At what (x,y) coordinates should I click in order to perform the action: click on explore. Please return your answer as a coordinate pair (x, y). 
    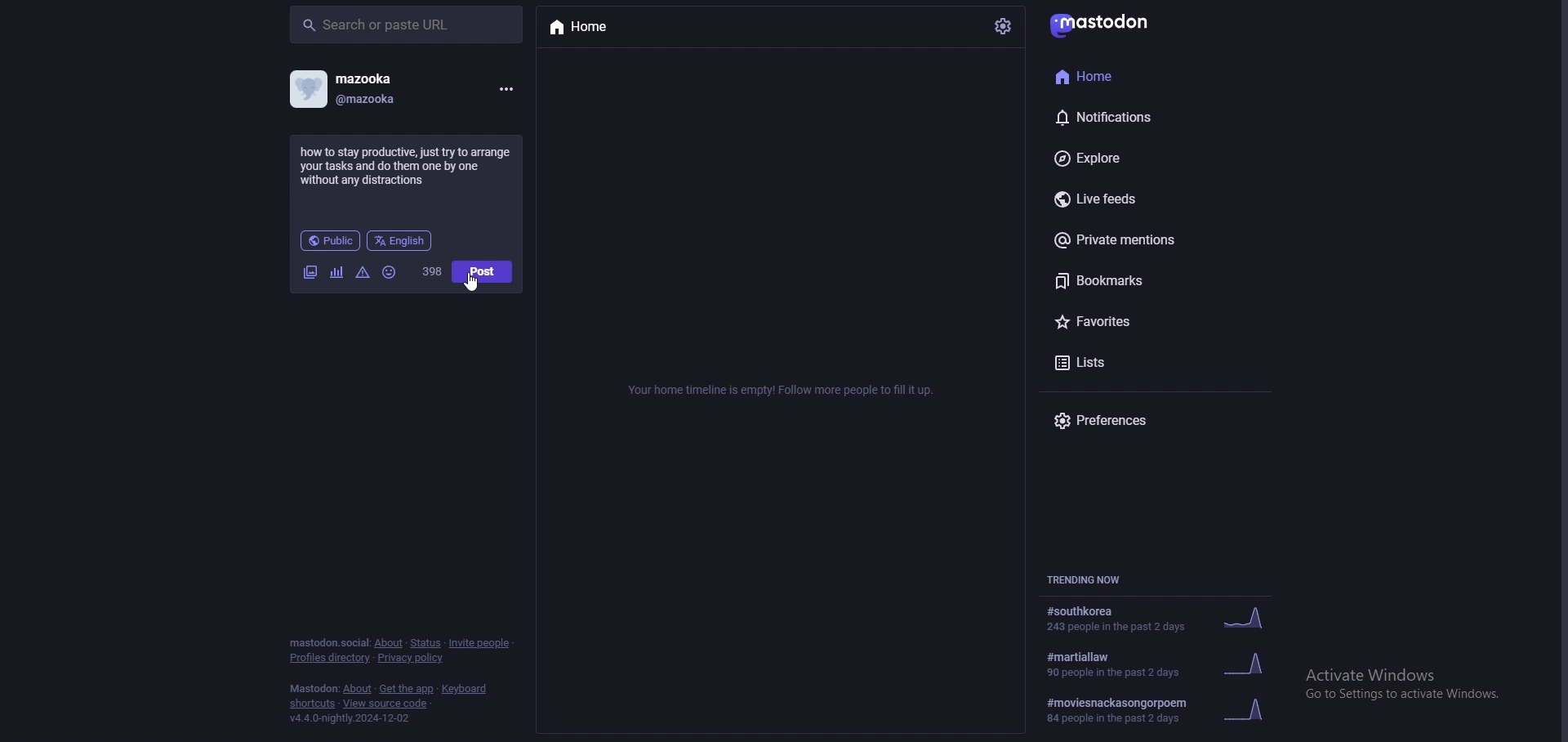
    Looking at the image, I should click on (1134, 157).